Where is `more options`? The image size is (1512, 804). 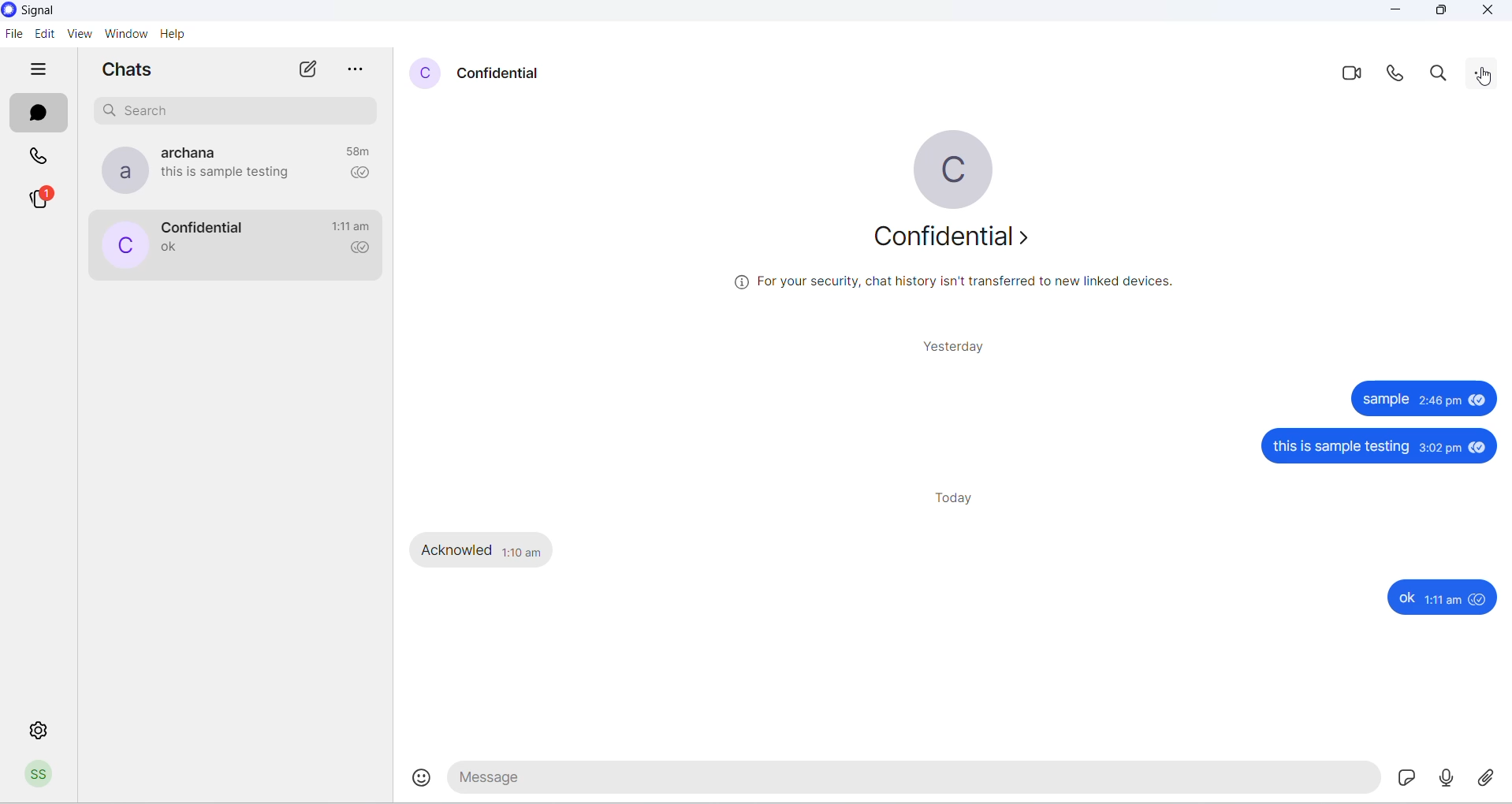 more options is located at coordinates (1487, 76).